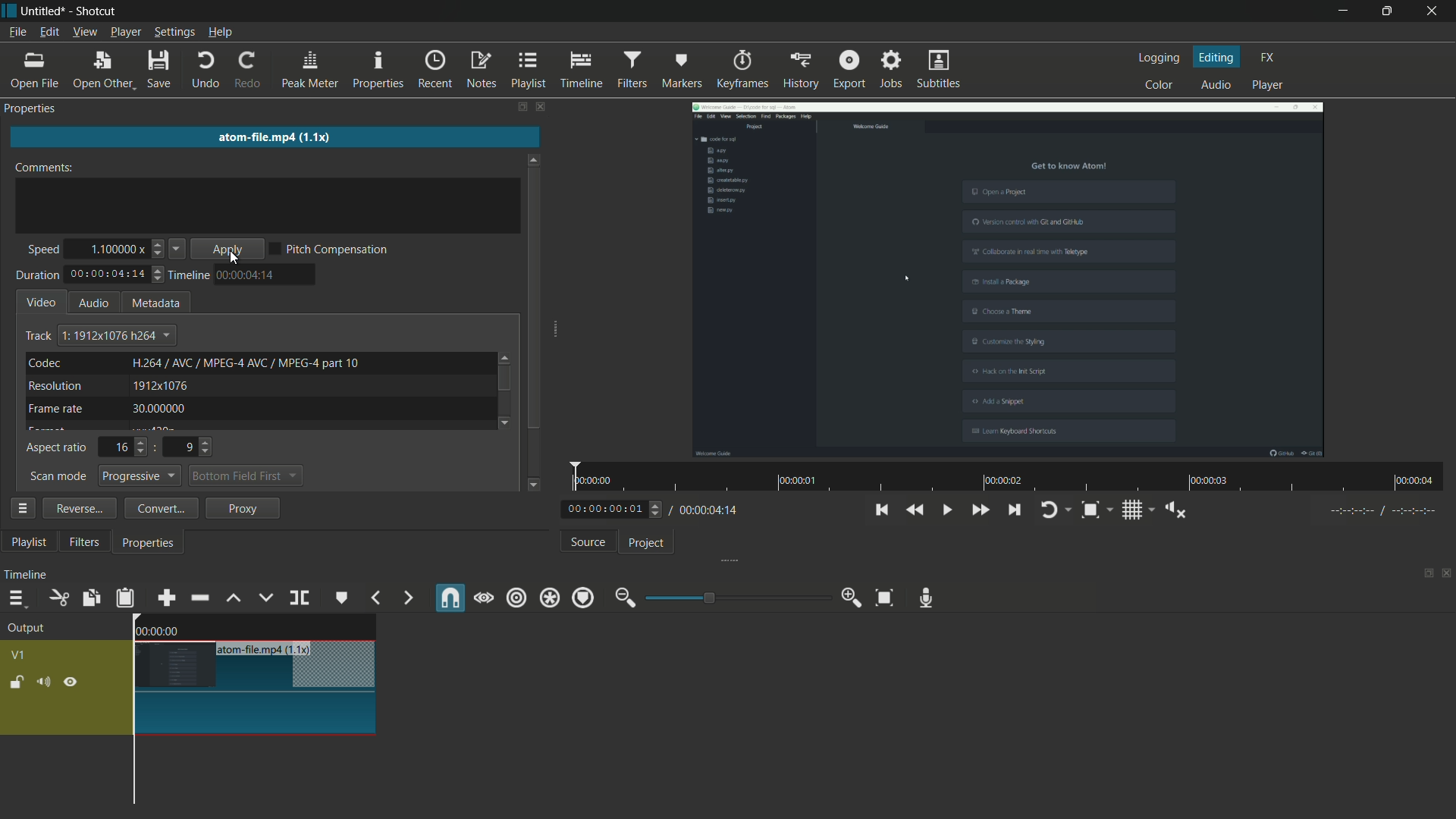  I want to click on ripple all tracks, so click(548, 598).